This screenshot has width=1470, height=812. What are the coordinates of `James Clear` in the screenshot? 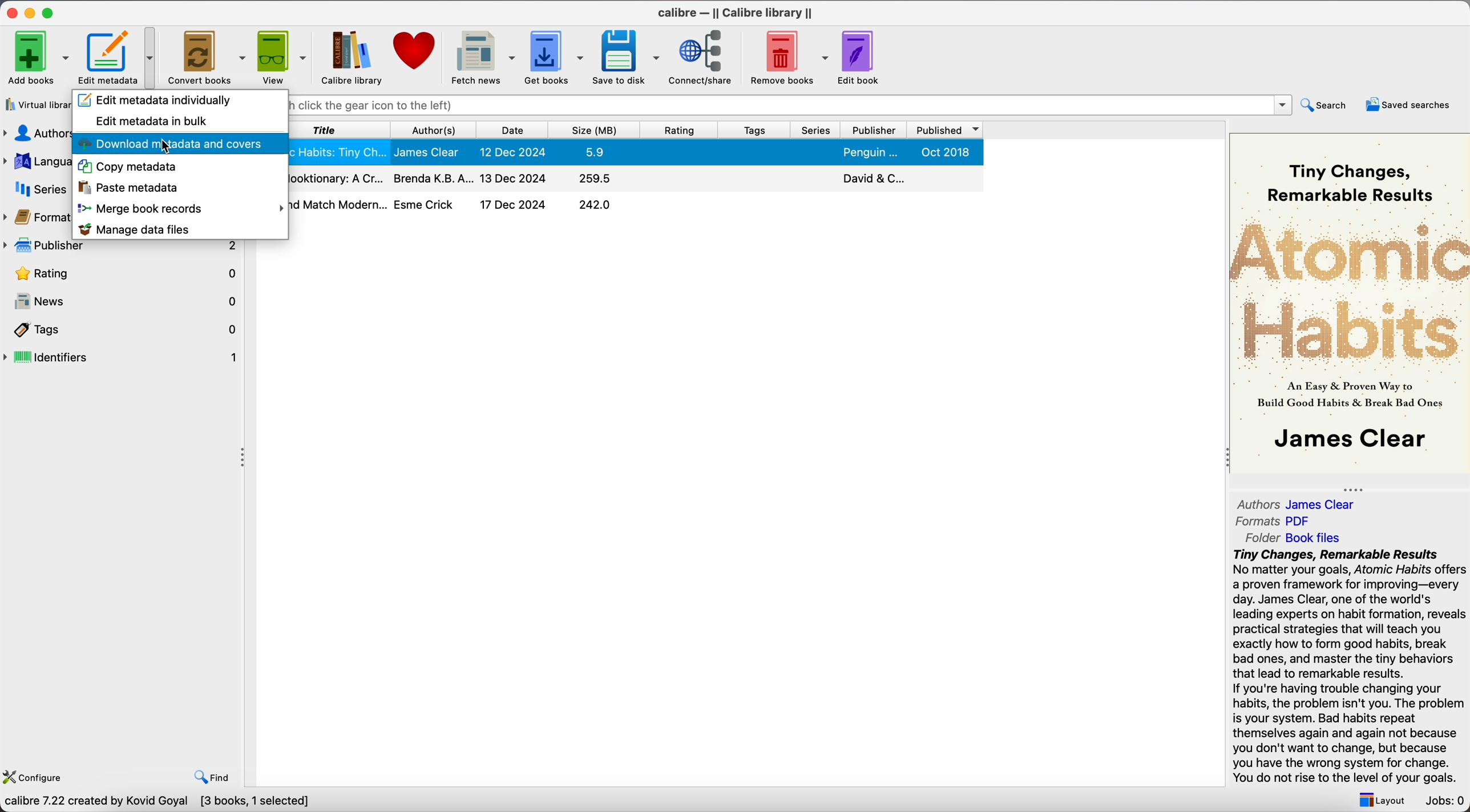 It's located at (430, 152).